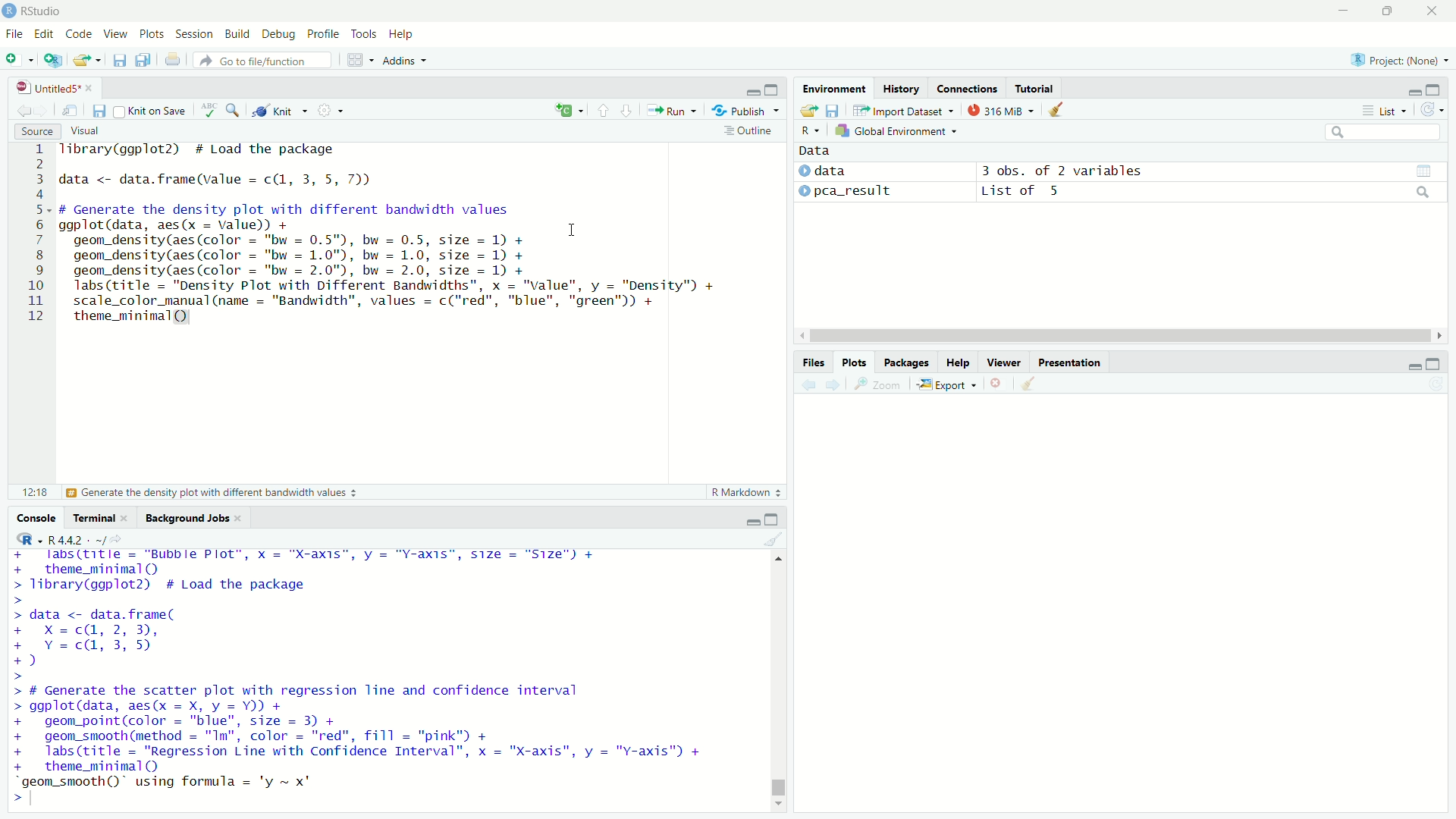 The height and width of the screenshot is (819, 1456). I want to click on Help, so click(957, 362).